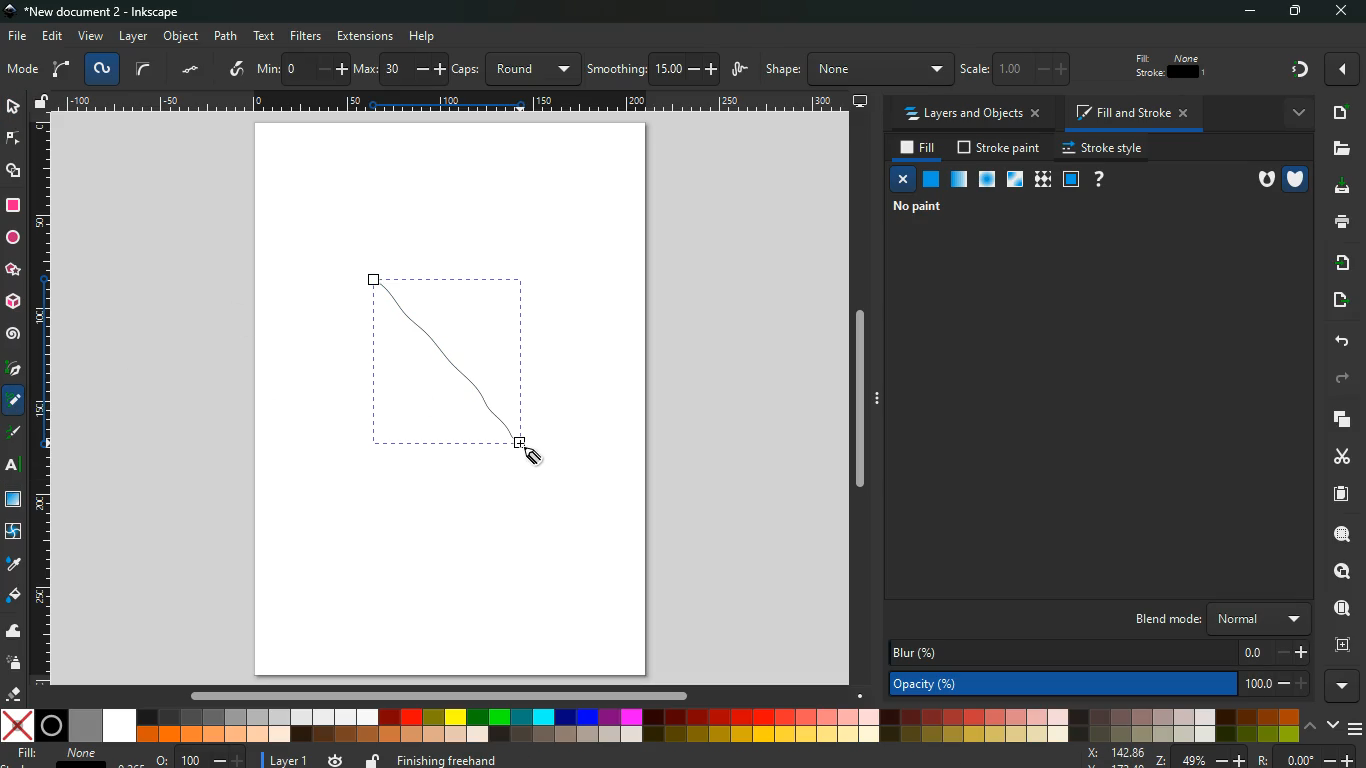 The image size is (1366, 768). What do you see at coordinates (13, 270) in the screenshot?
I see `star` at bounding box center [13, 270].